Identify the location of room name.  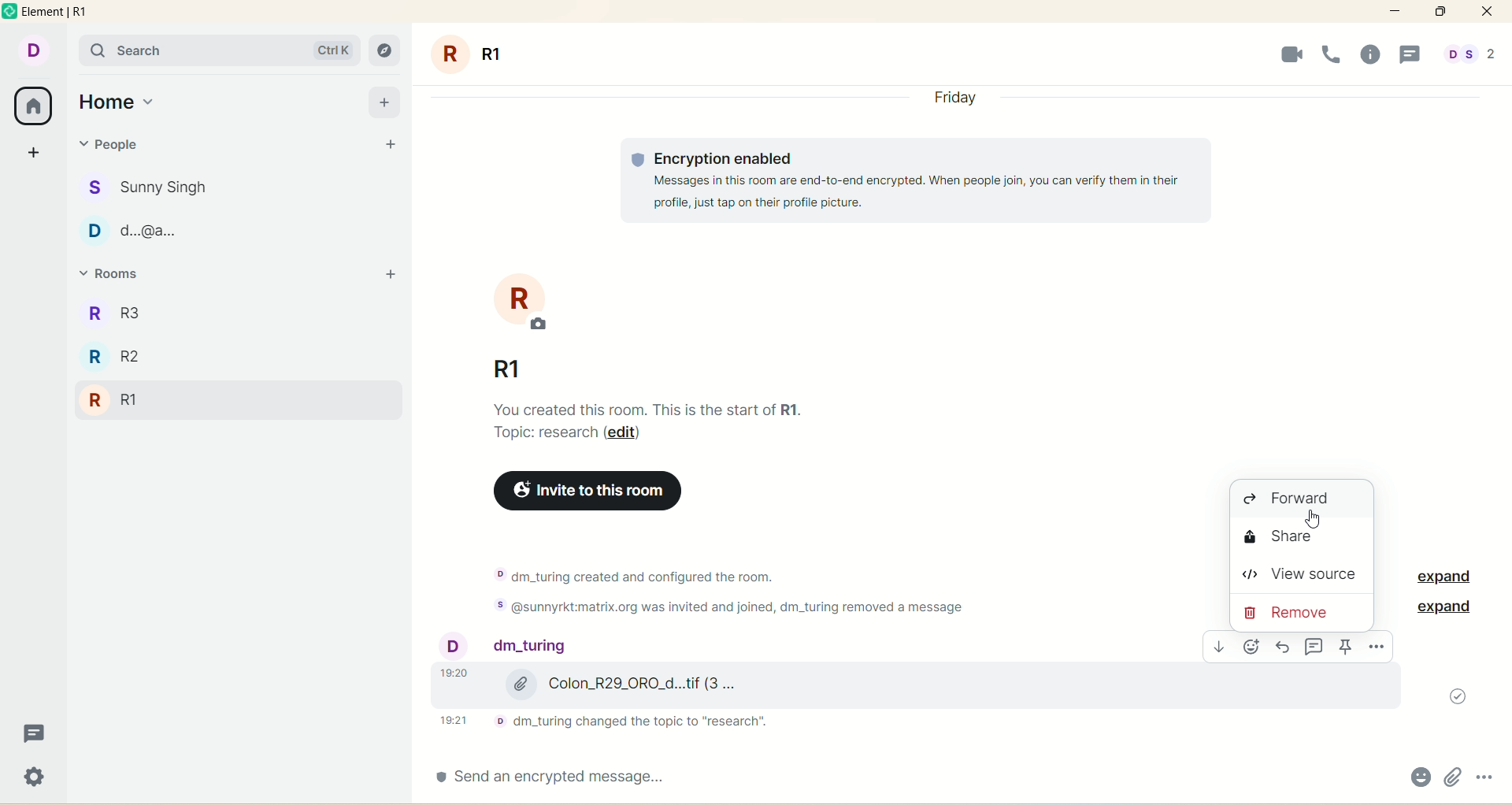
(484, 53).